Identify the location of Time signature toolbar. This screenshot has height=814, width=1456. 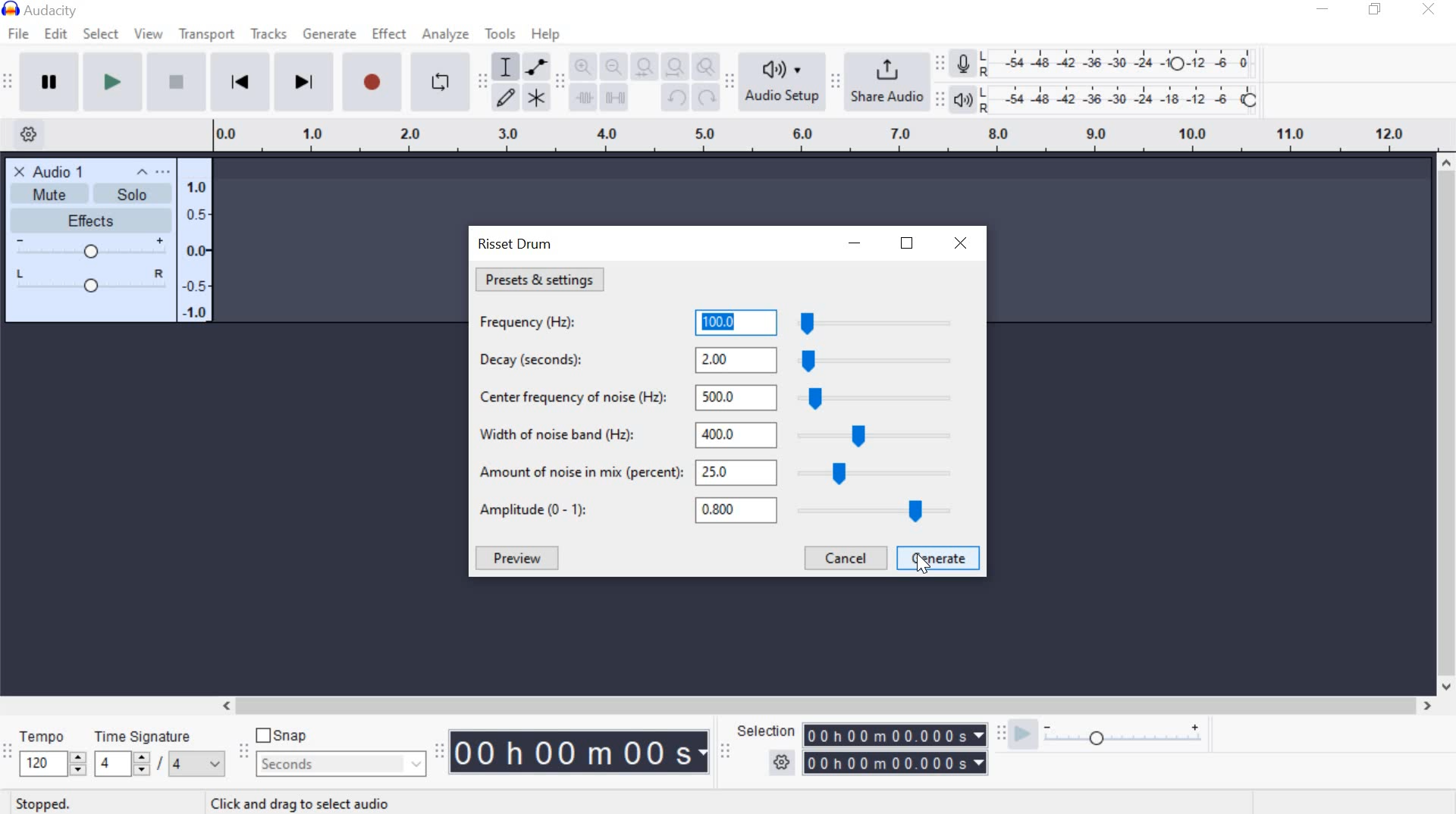
(8, 758).